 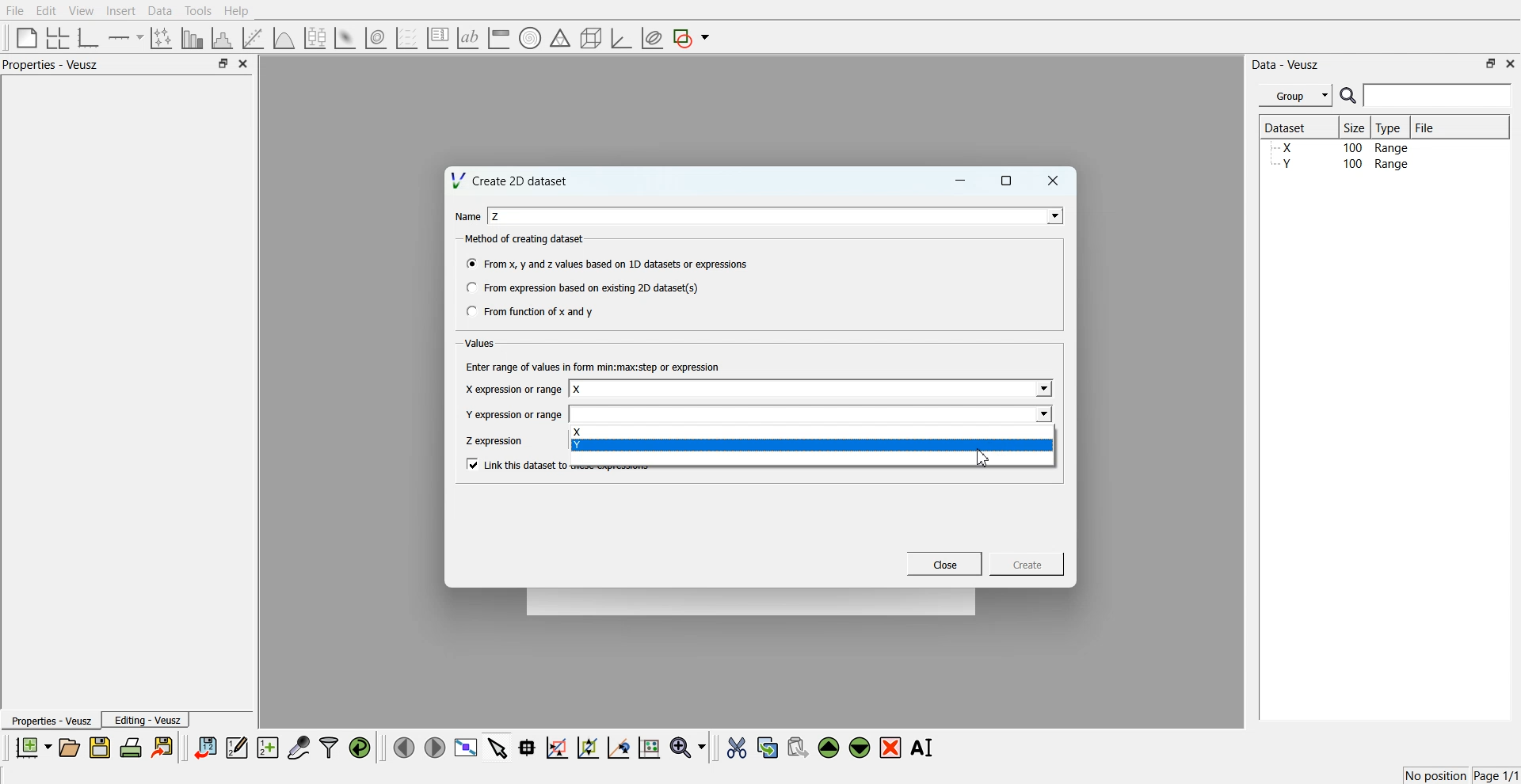 What do you see at coordinates (468, 38) in the screenshot?
I see `Text label` at bounding box center [468, 38].